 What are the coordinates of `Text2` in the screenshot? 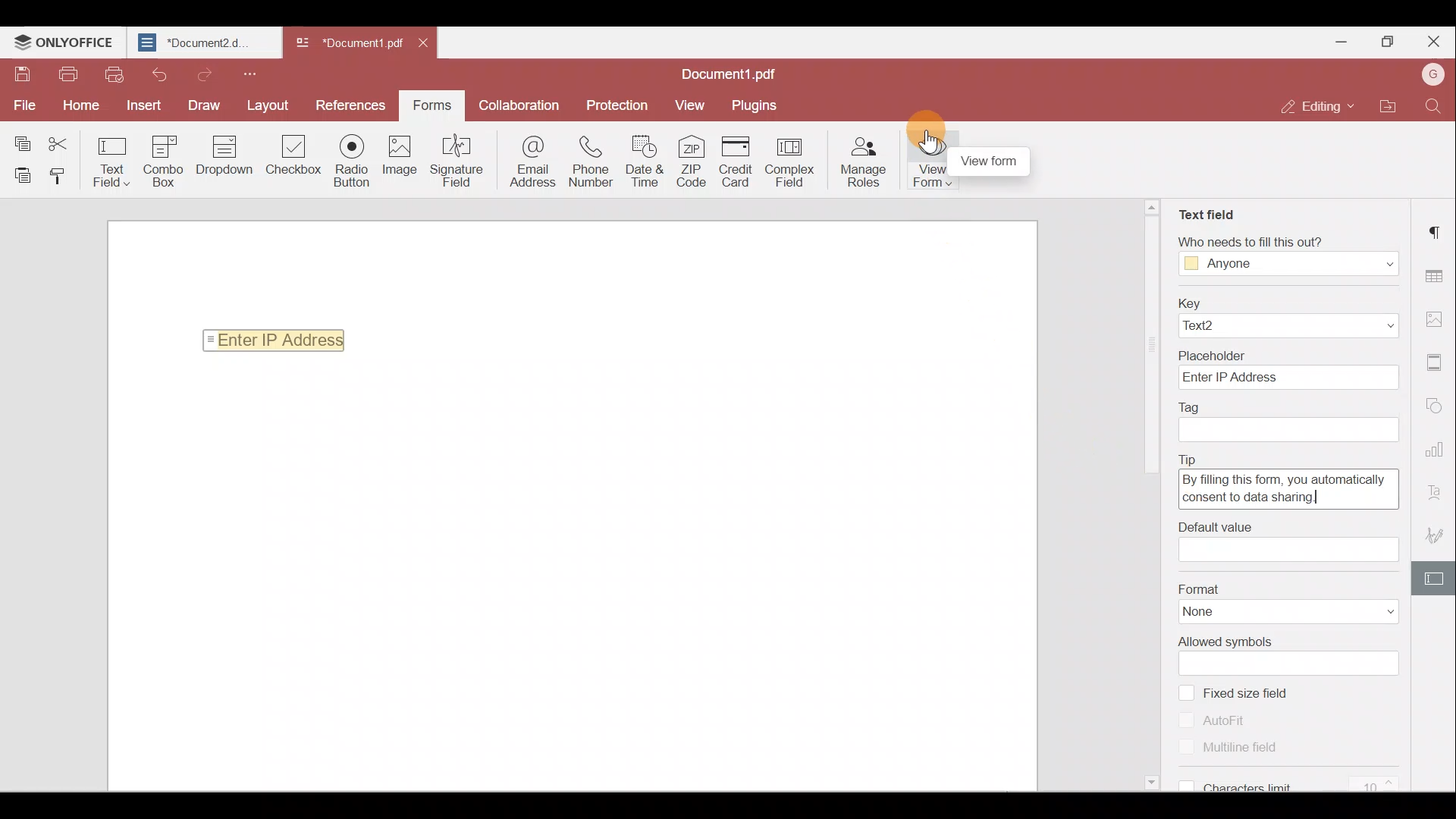 It's located at (1222, 326).